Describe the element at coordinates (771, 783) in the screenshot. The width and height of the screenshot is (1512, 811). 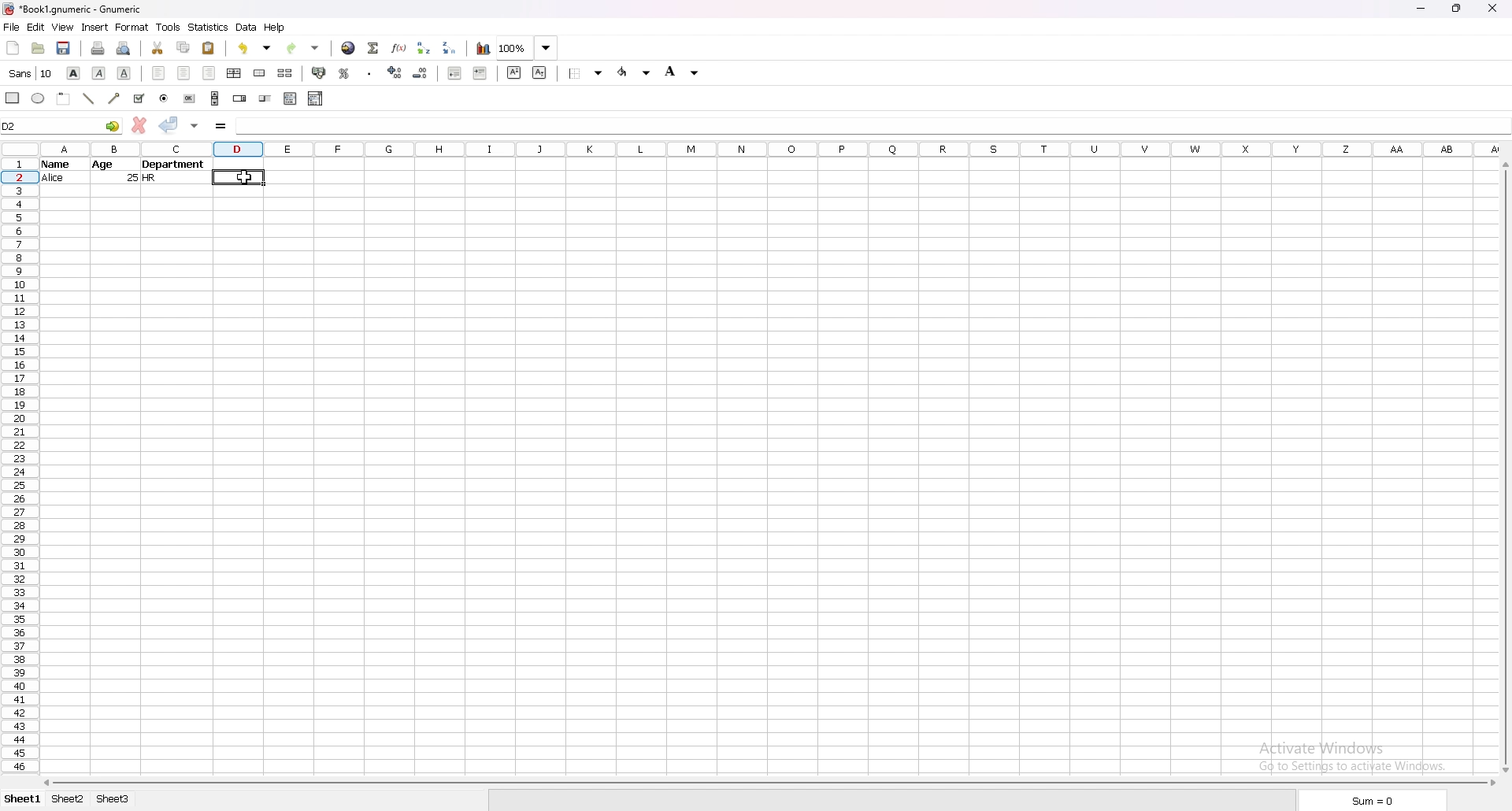
I see `scroll bar` at that location.